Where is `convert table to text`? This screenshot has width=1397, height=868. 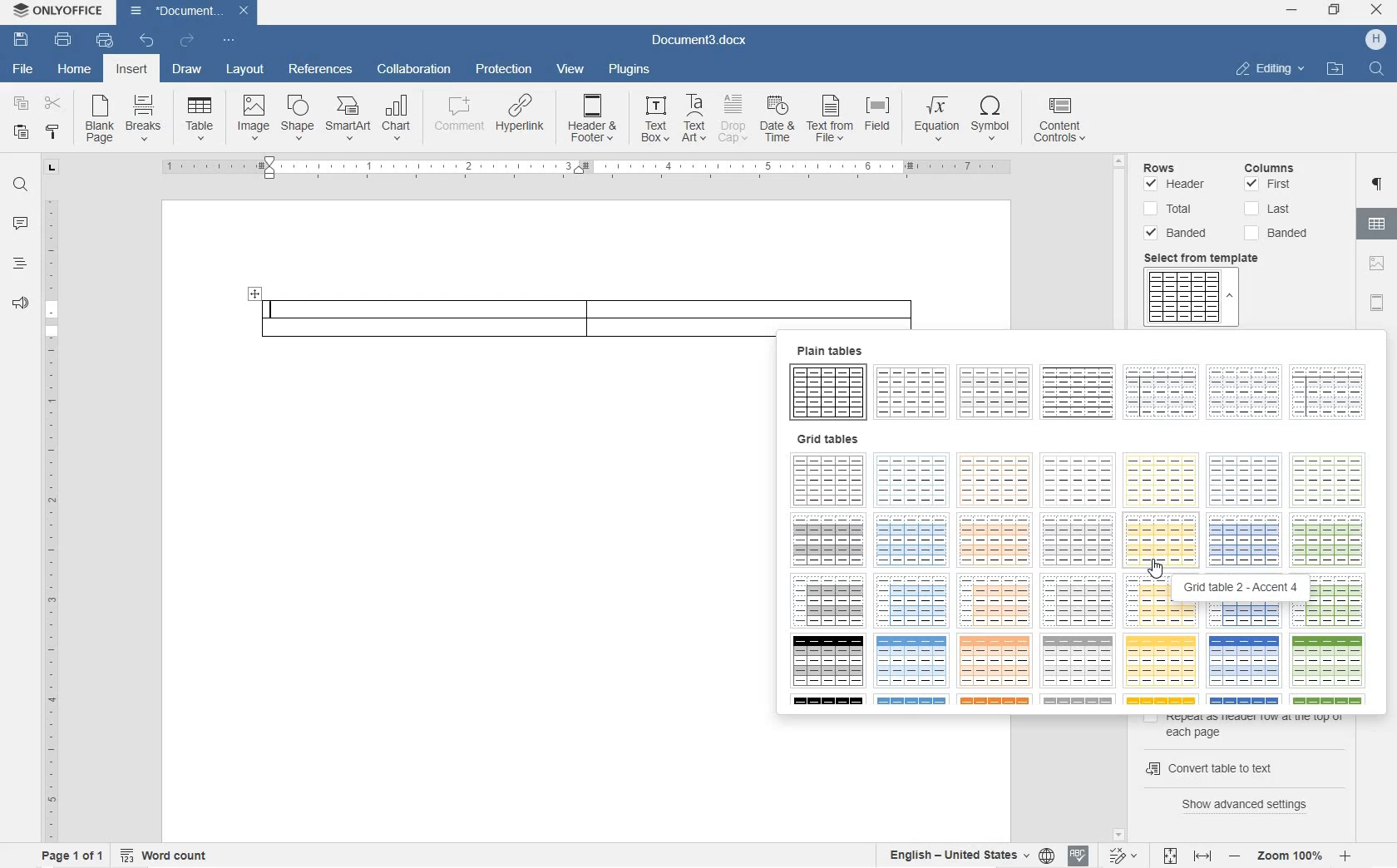
convert table to text is located at coordinates (1242, 766).